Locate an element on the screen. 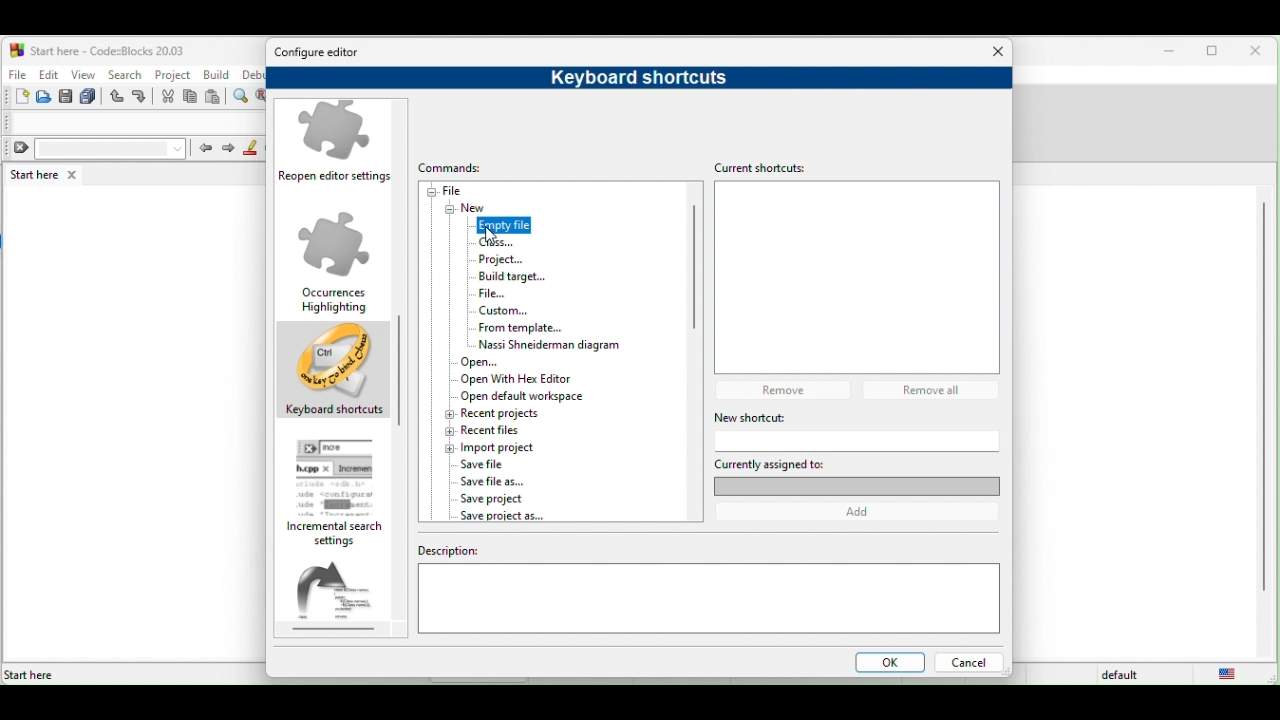  redo is located at coordinates (142, 97).